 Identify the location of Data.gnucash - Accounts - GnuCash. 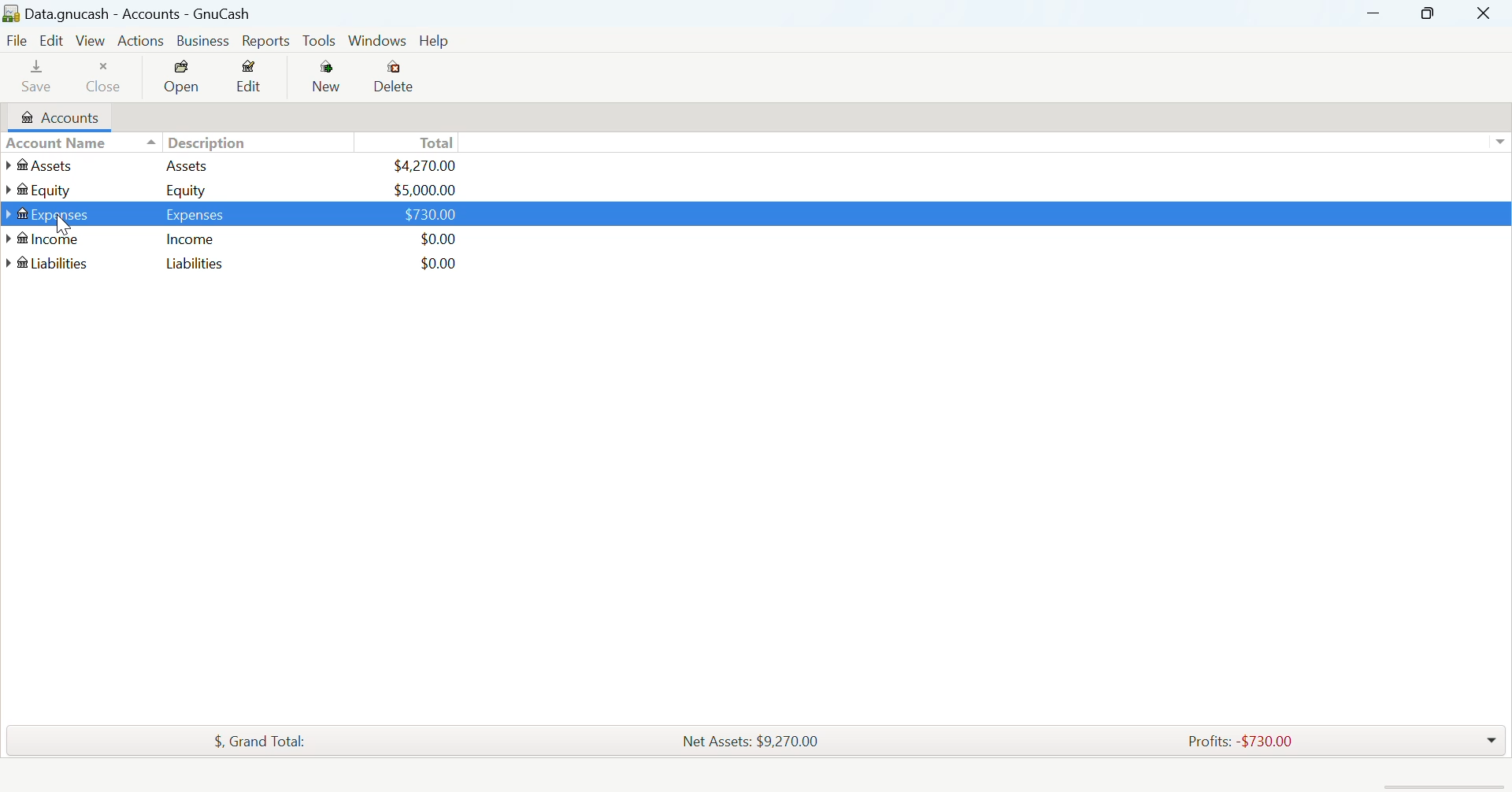
(161, 13).